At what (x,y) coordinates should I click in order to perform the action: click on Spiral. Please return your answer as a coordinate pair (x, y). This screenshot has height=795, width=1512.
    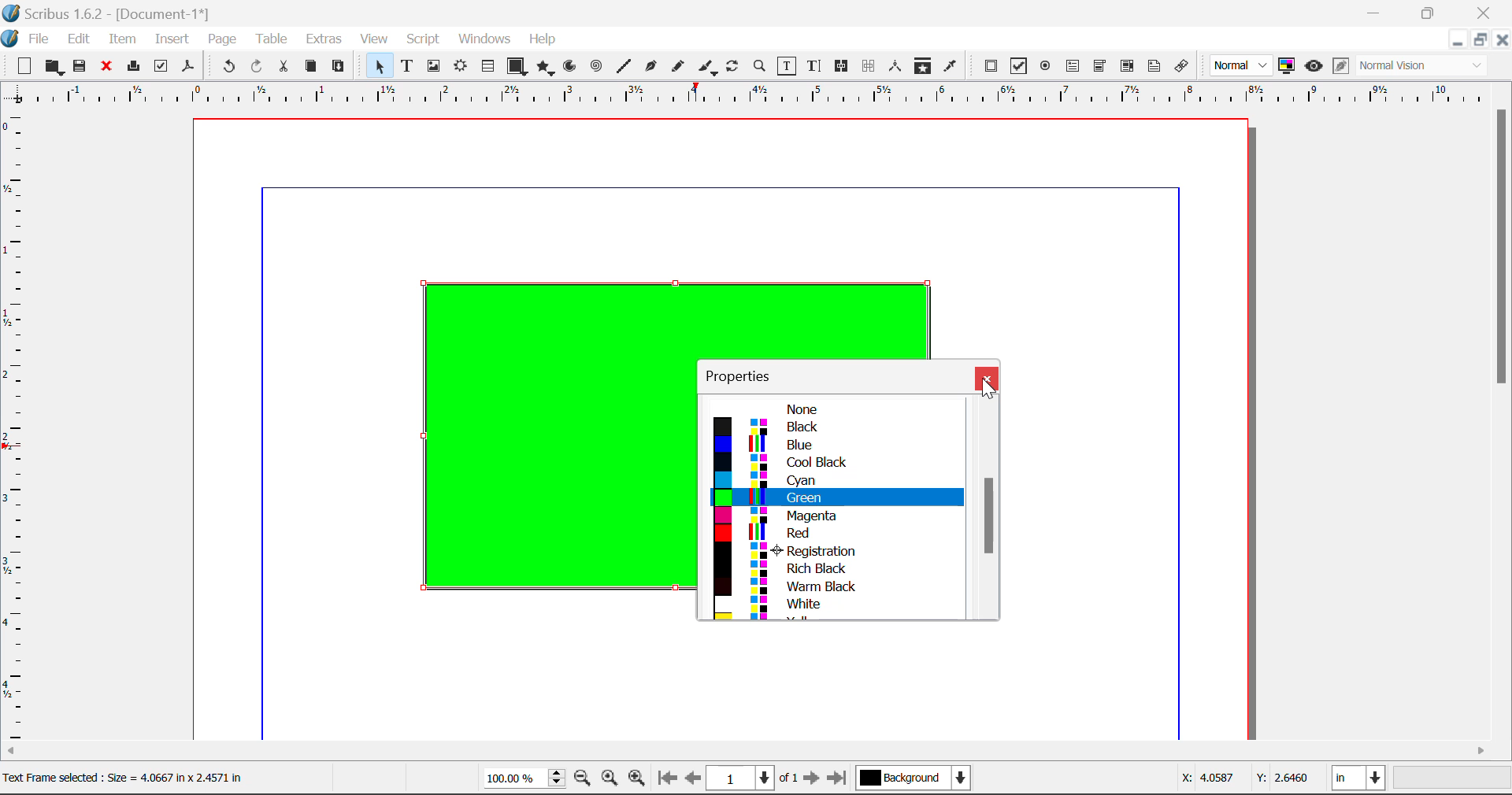
    Looking at the image, I should click on (596, 66).